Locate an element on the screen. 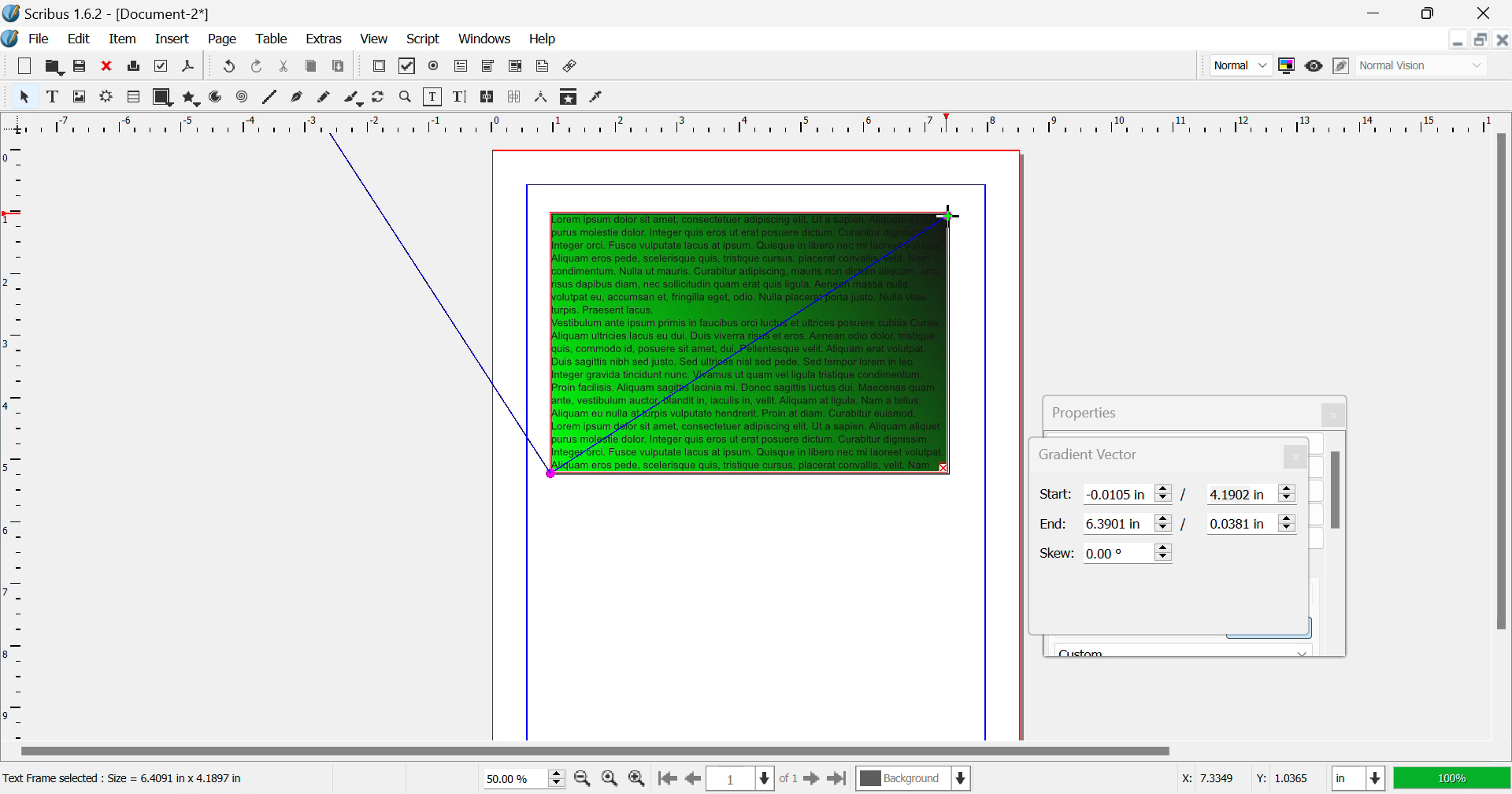  Next Page is located at coordinates (811, 777).